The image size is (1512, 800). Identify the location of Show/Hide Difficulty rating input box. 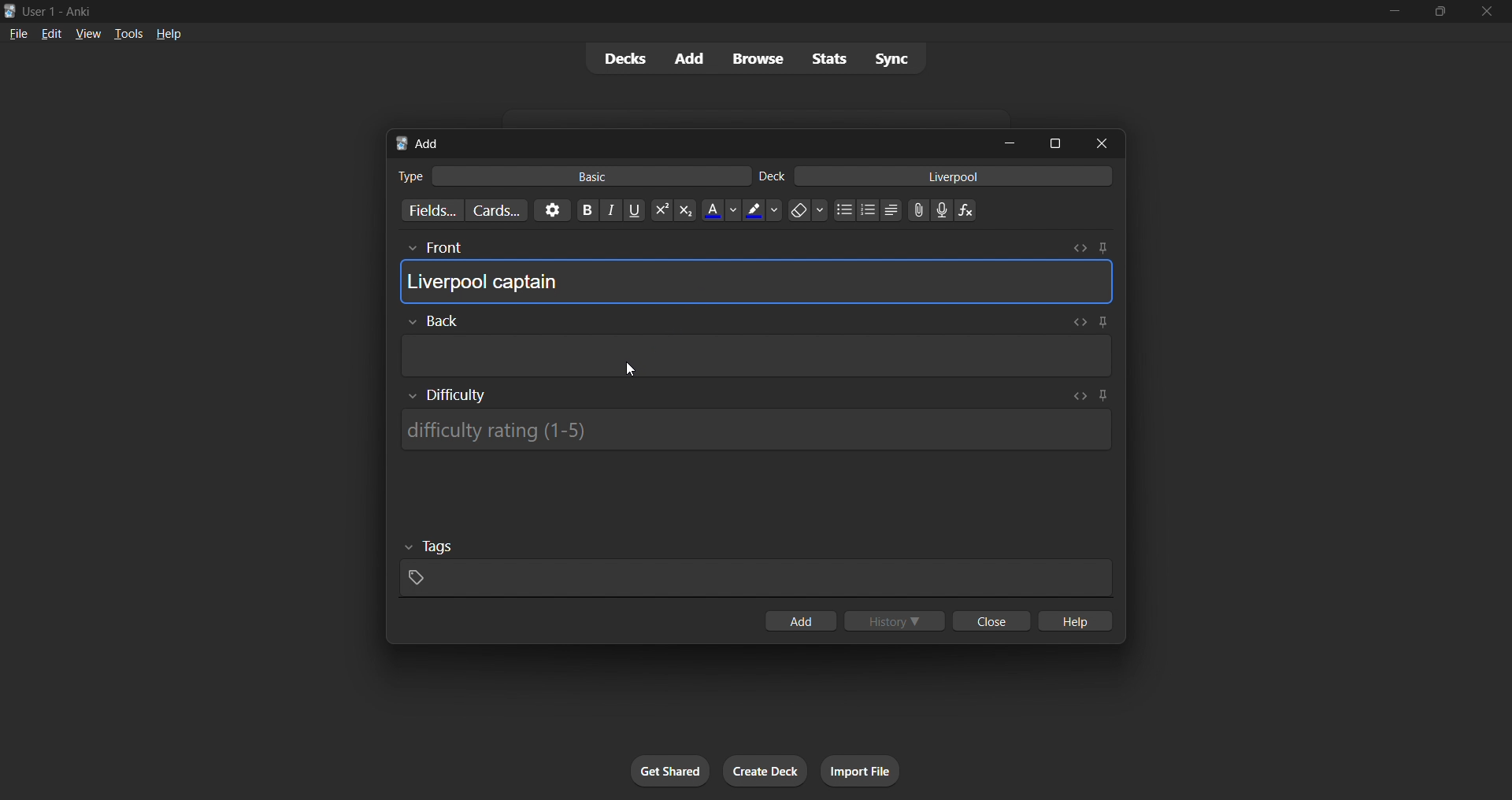
(447, 395).